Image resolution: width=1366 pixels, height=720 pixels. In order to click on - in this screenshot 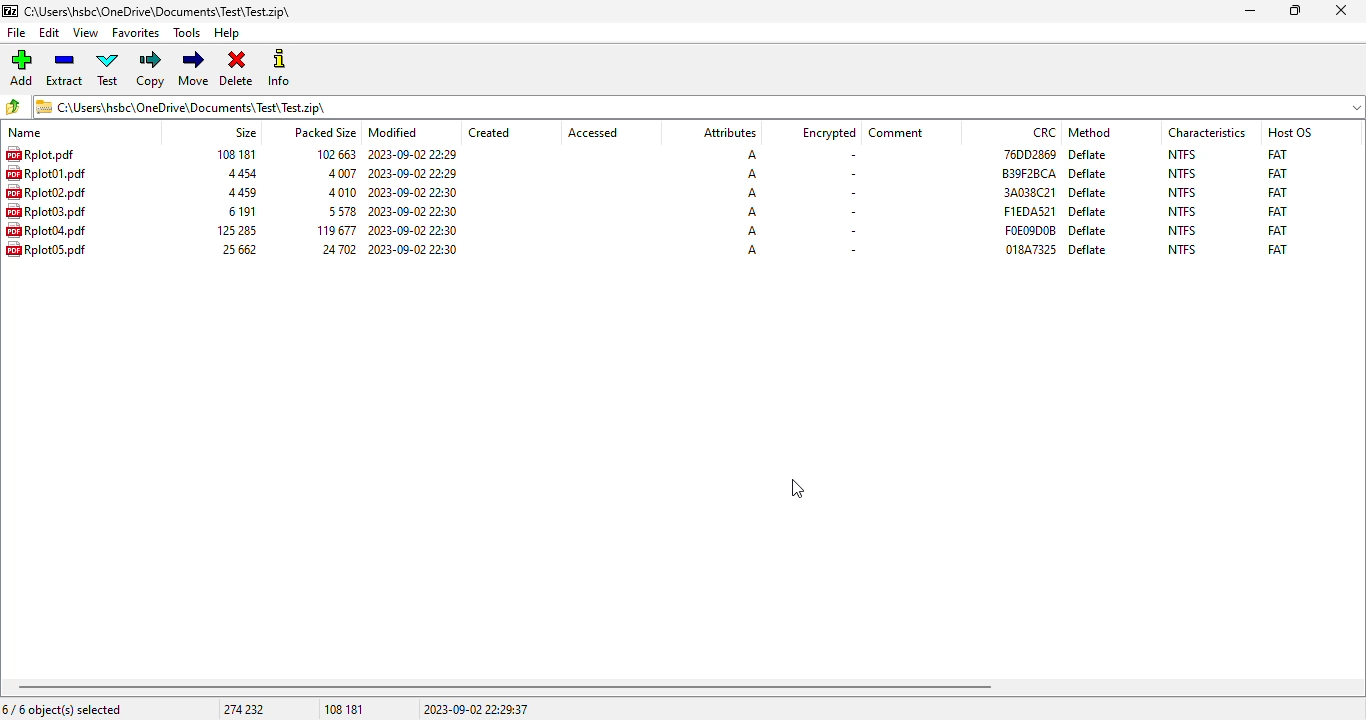, I will do `click(851, 231)`.